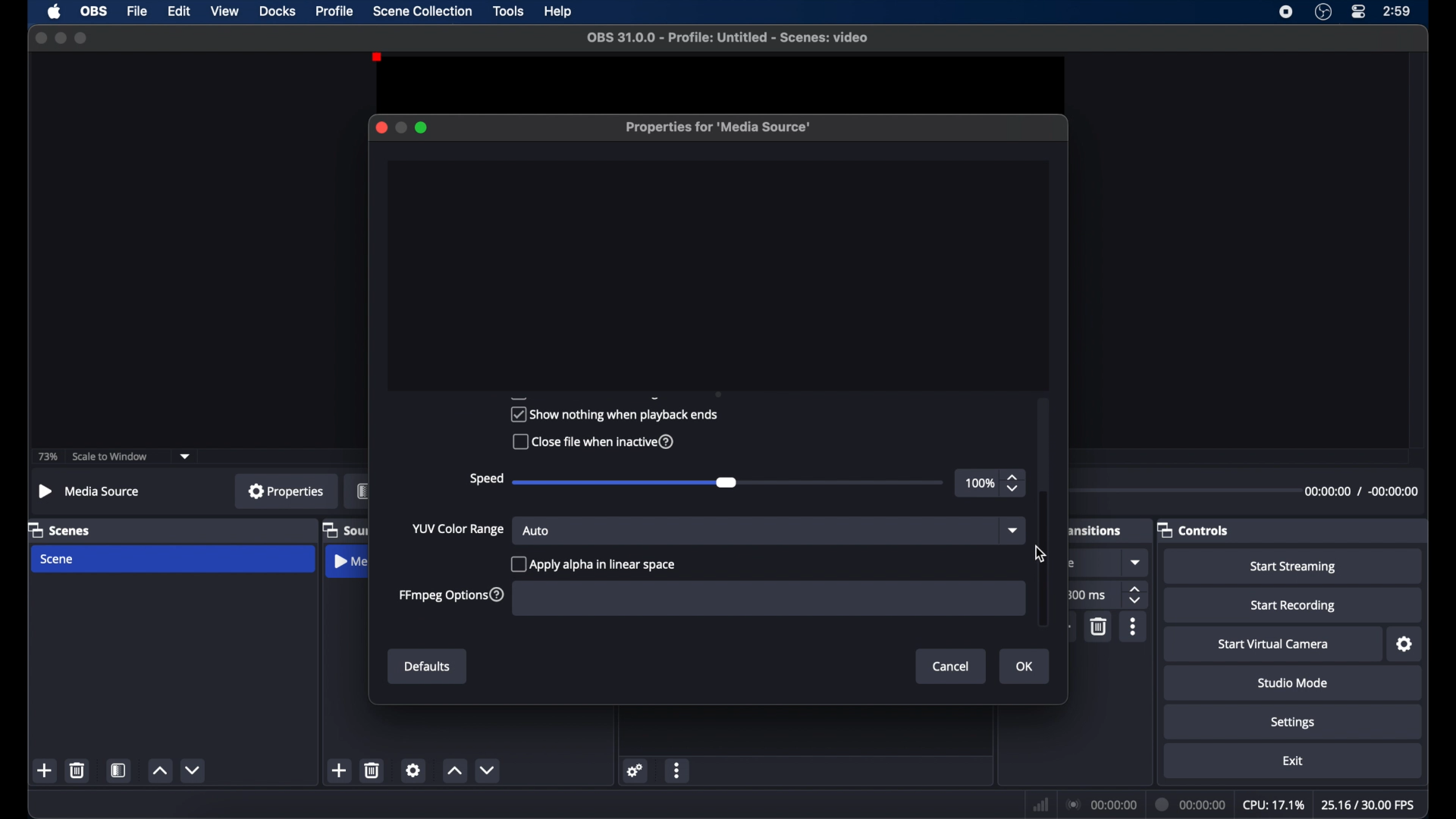  What do you see at coordinates (224, 10) in the screenshot?
I see `view` at bounding box center [224, 10].